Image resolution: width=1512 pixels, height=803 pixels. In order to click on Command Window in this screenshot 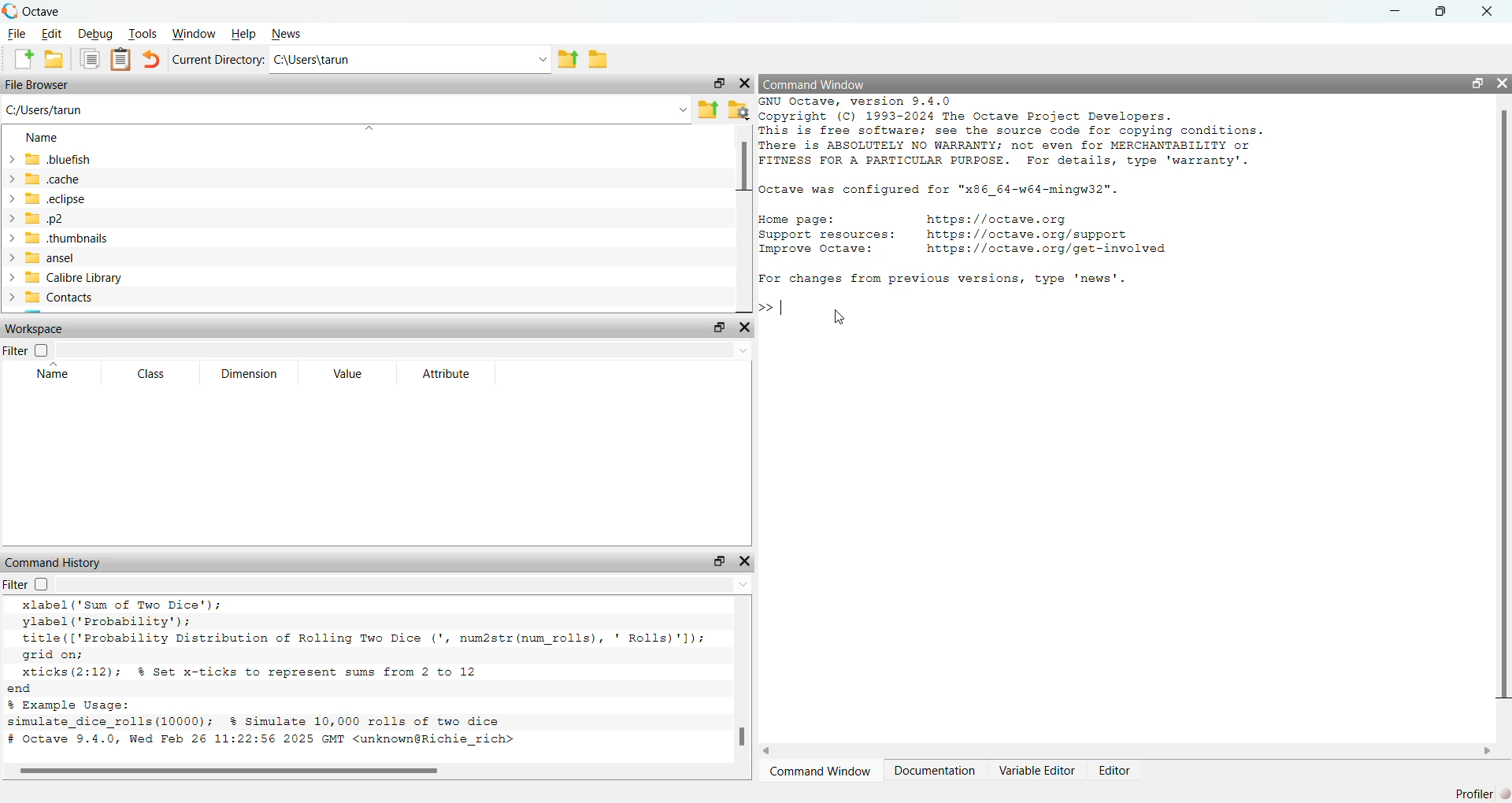, I will do `click(819, 773)`.